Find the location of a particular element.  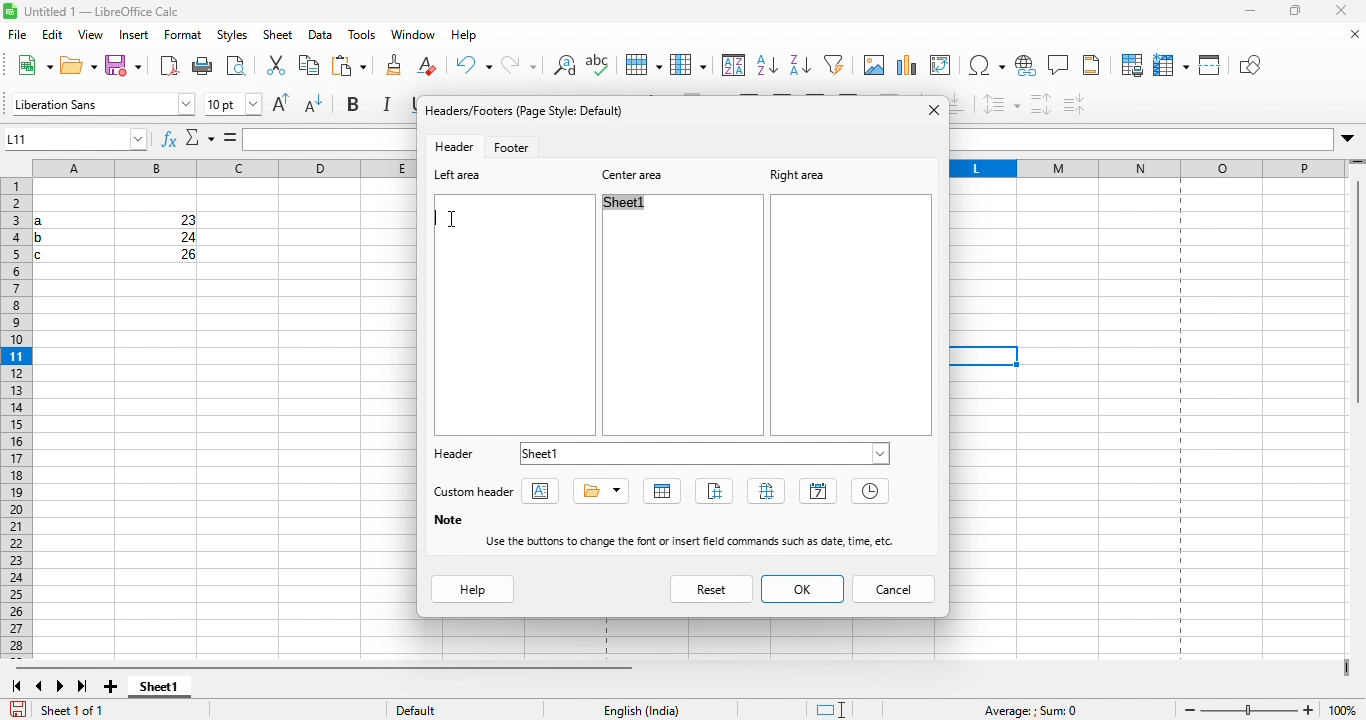

center area is located at coordinates (637, 175).